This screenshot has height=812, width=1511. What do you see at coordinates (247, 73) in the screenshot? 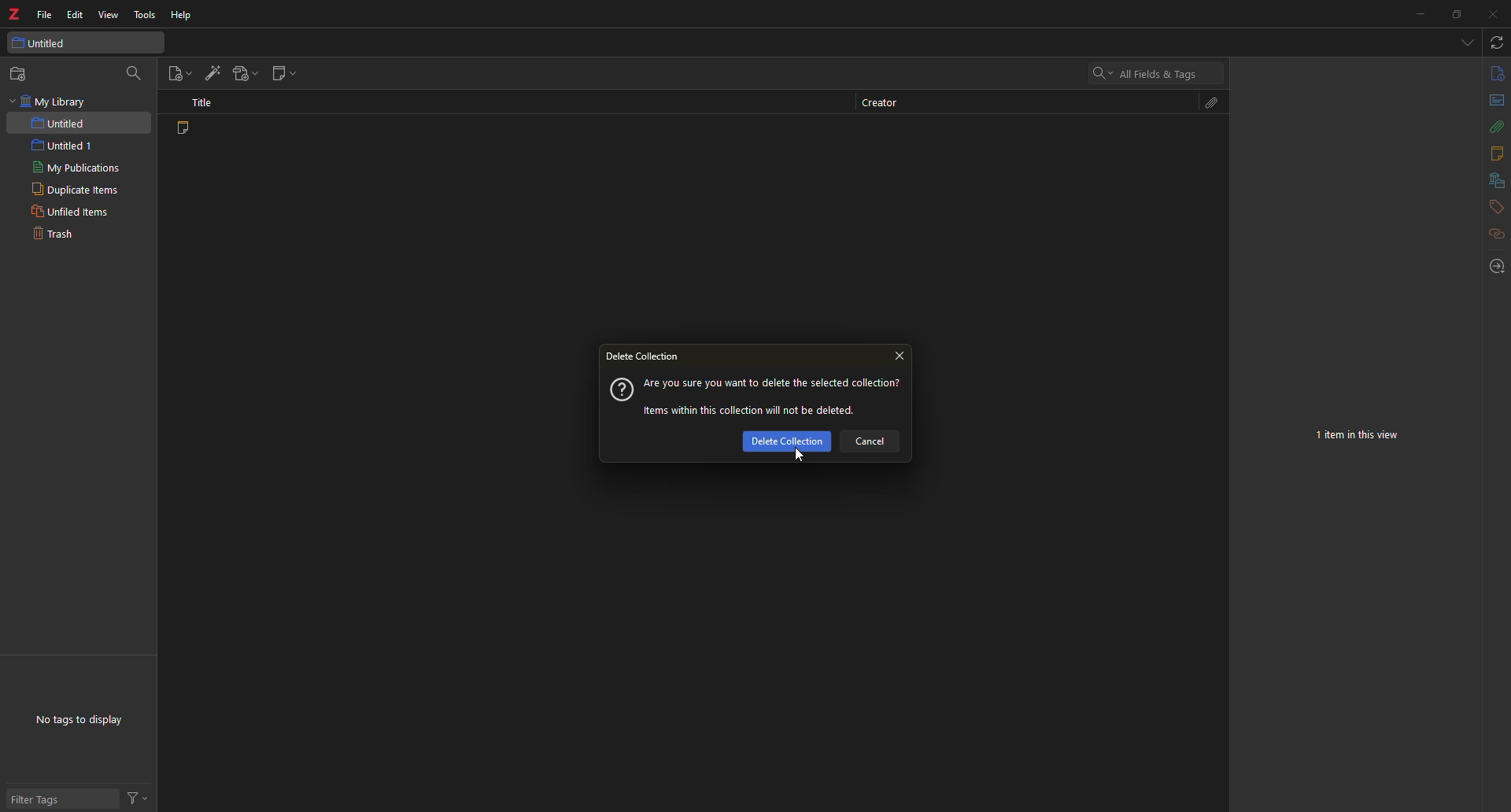
I see `add attach` at bounding box center [247, 73].